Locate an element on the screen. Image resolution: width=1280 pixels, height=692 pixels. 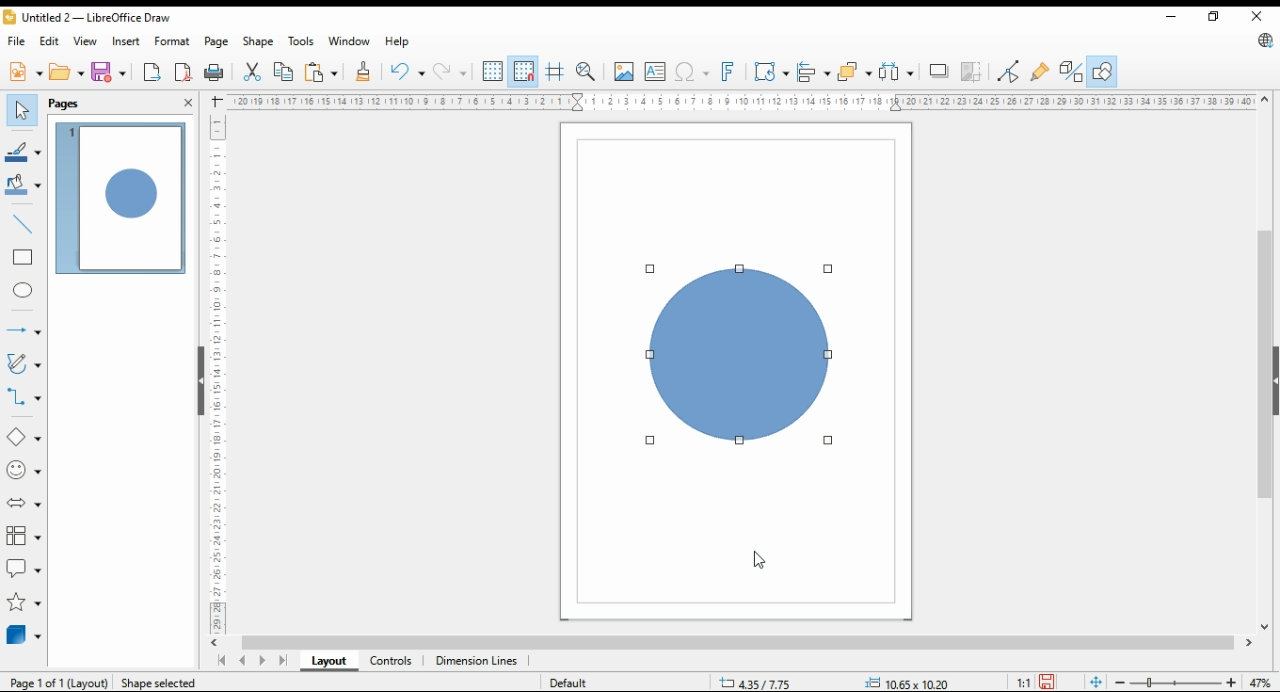
simple shapes is located at coordinates (22, 436).